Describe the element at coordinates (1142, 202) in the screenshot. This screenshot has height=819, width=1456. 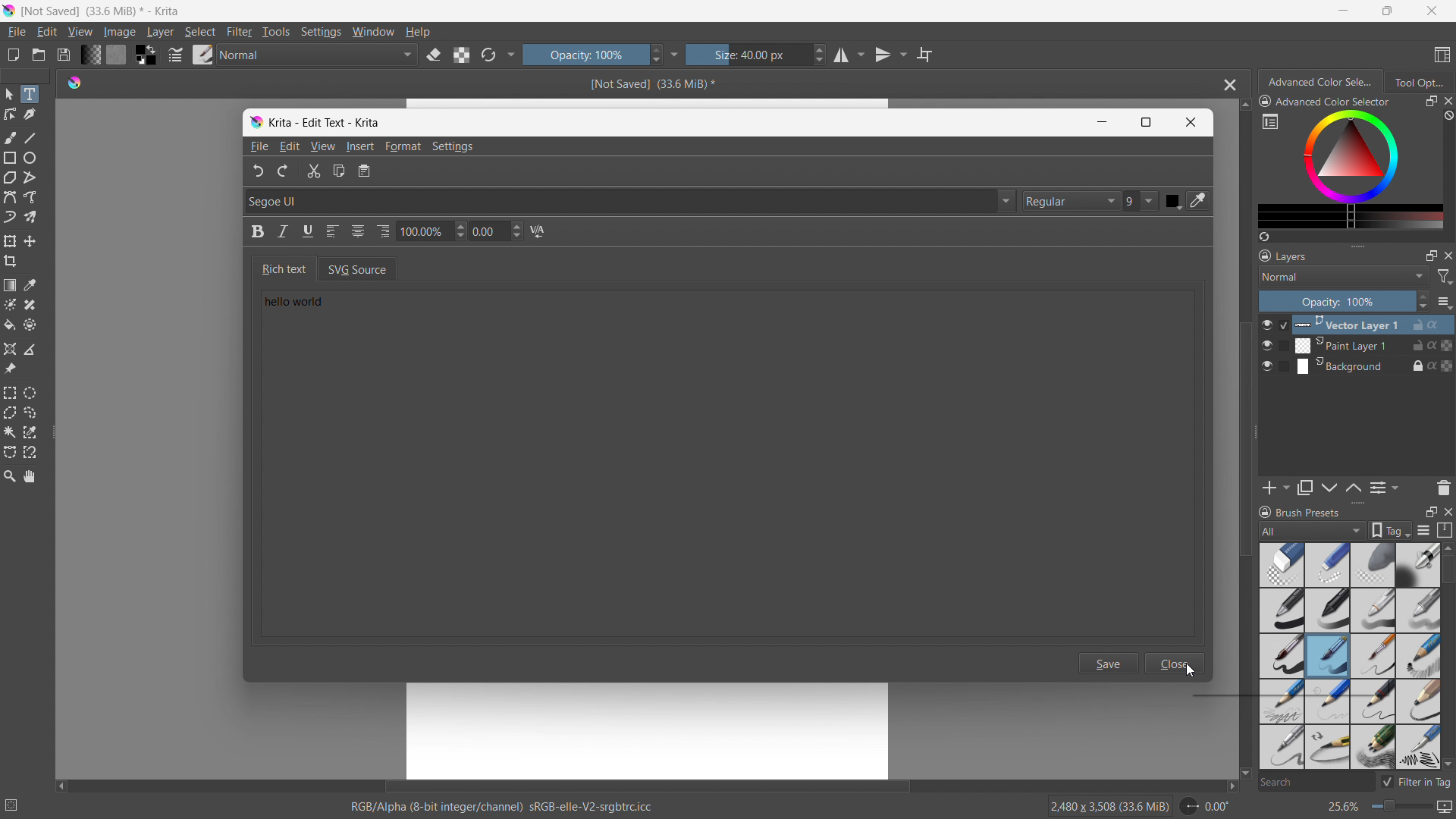
I see `9` at that location.